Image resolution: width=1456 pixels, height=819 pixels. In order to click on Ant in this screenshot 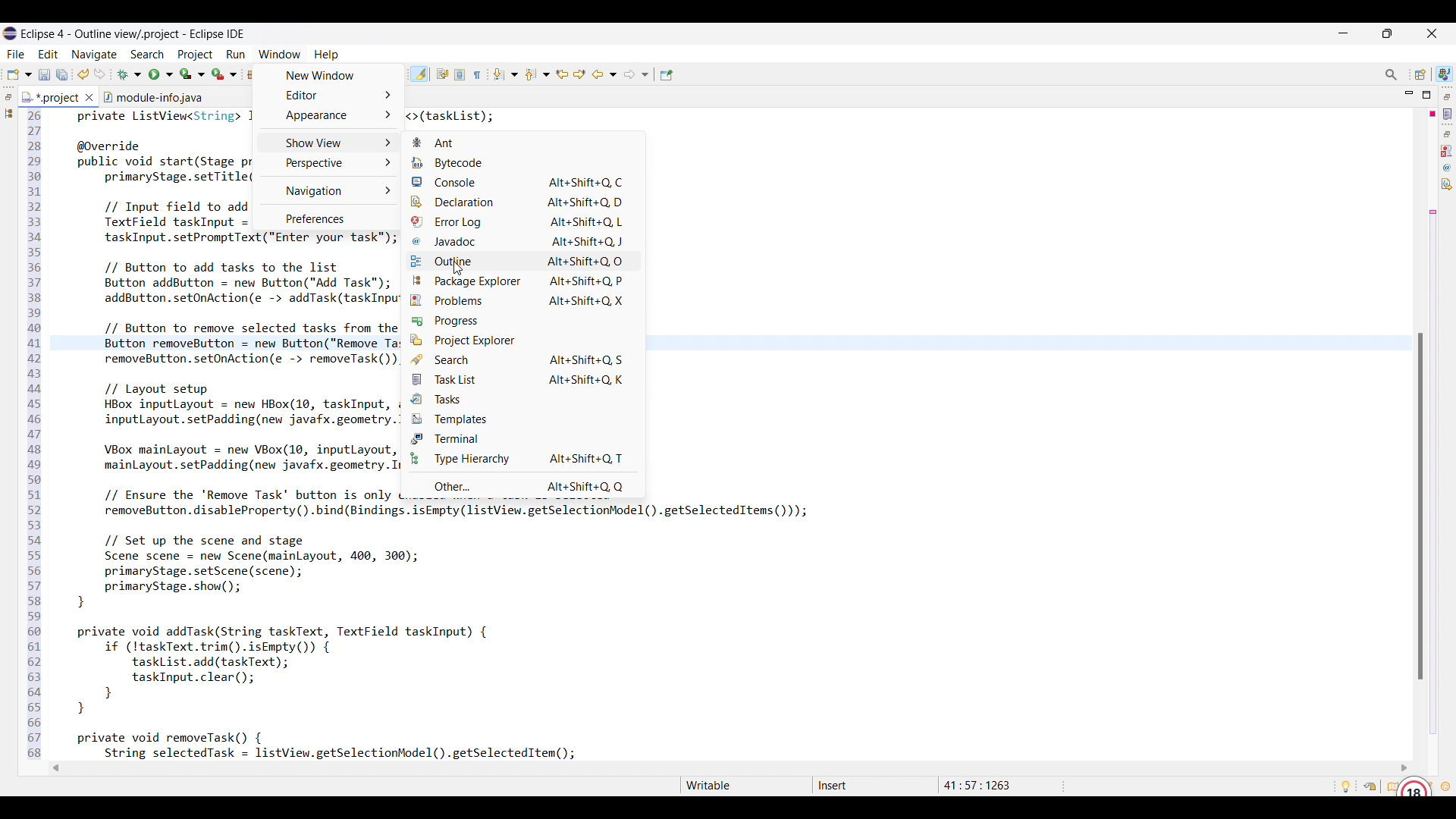, I will do `click(522, 143)`.